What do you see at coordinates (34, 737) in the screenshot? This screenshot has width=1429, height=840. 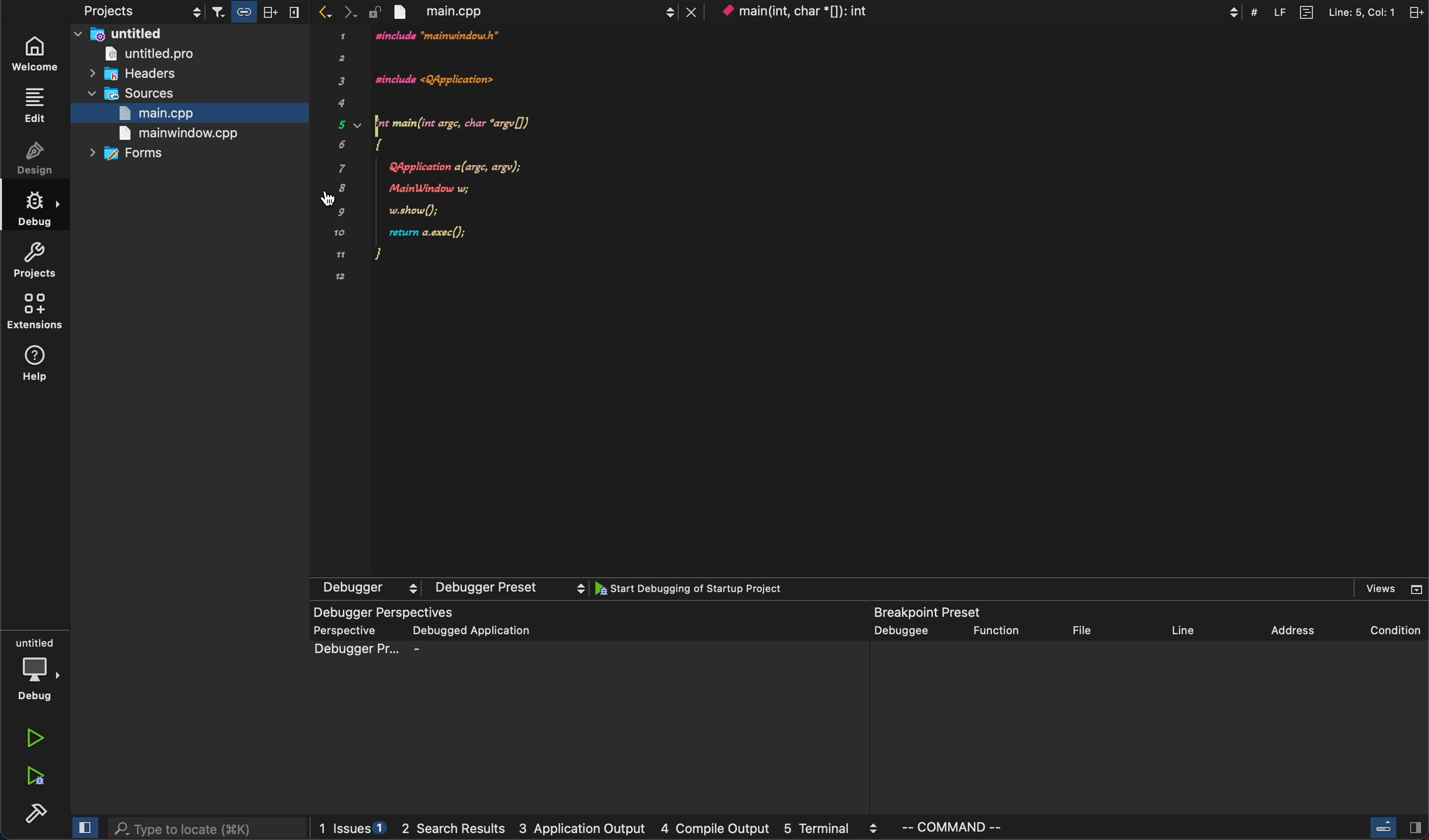 I see `run` at bounding box center [34, 737].